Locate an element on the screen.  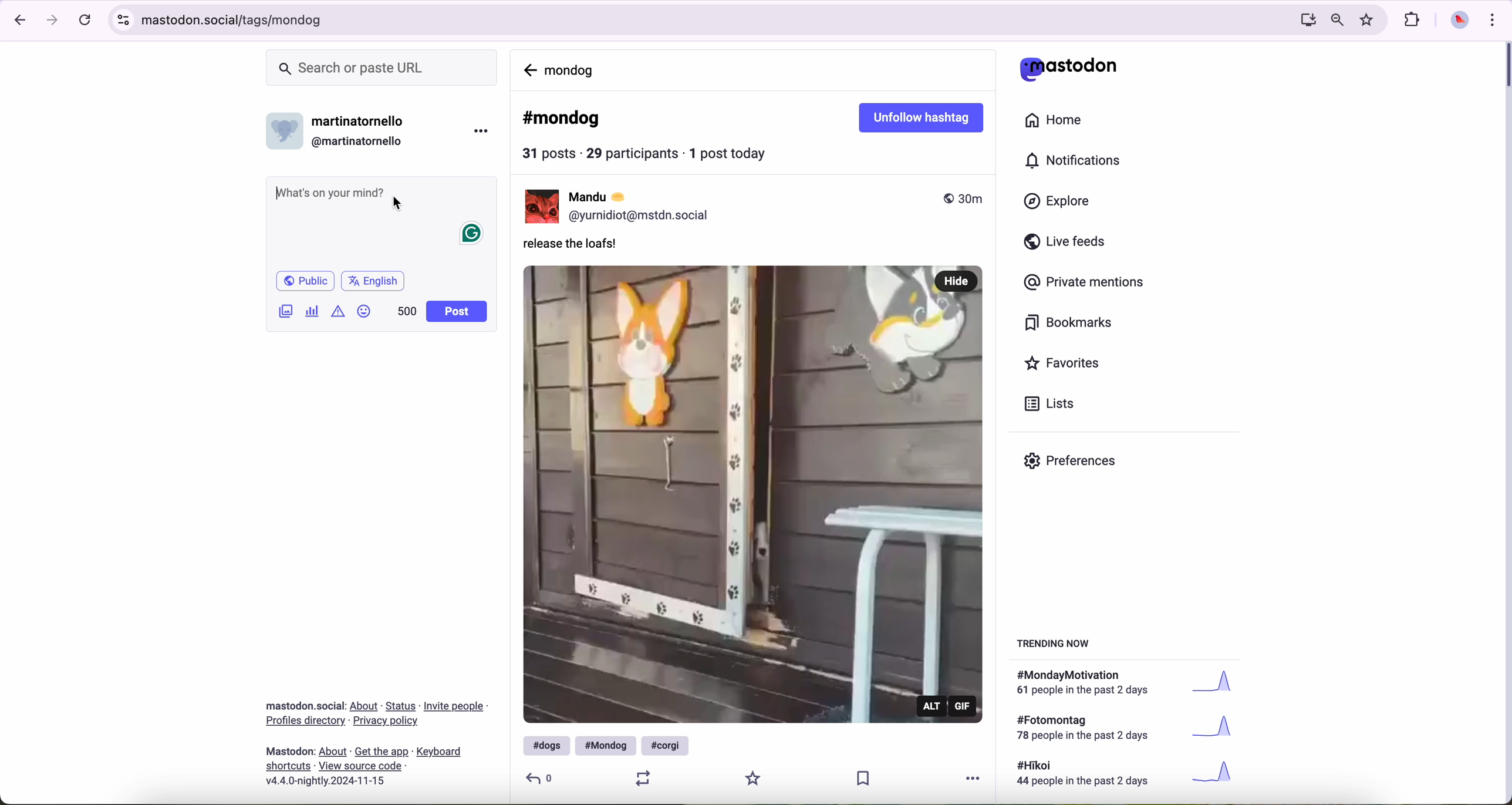
link is located at coordinates (439, 753).